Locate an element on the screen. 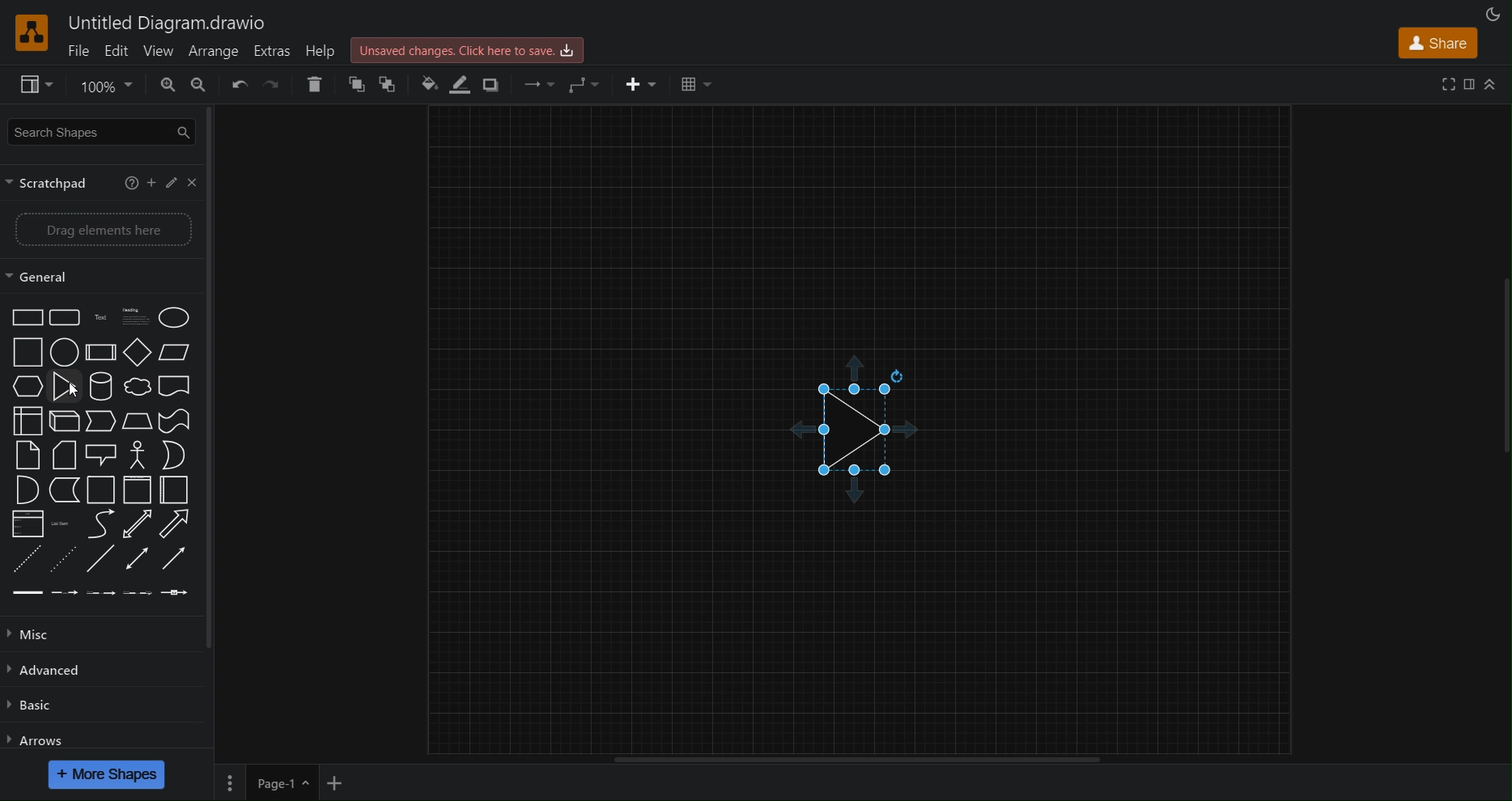 The image size is (1512, 801). Unsaved changes. Click here to save is located at coordinates (470, 48).